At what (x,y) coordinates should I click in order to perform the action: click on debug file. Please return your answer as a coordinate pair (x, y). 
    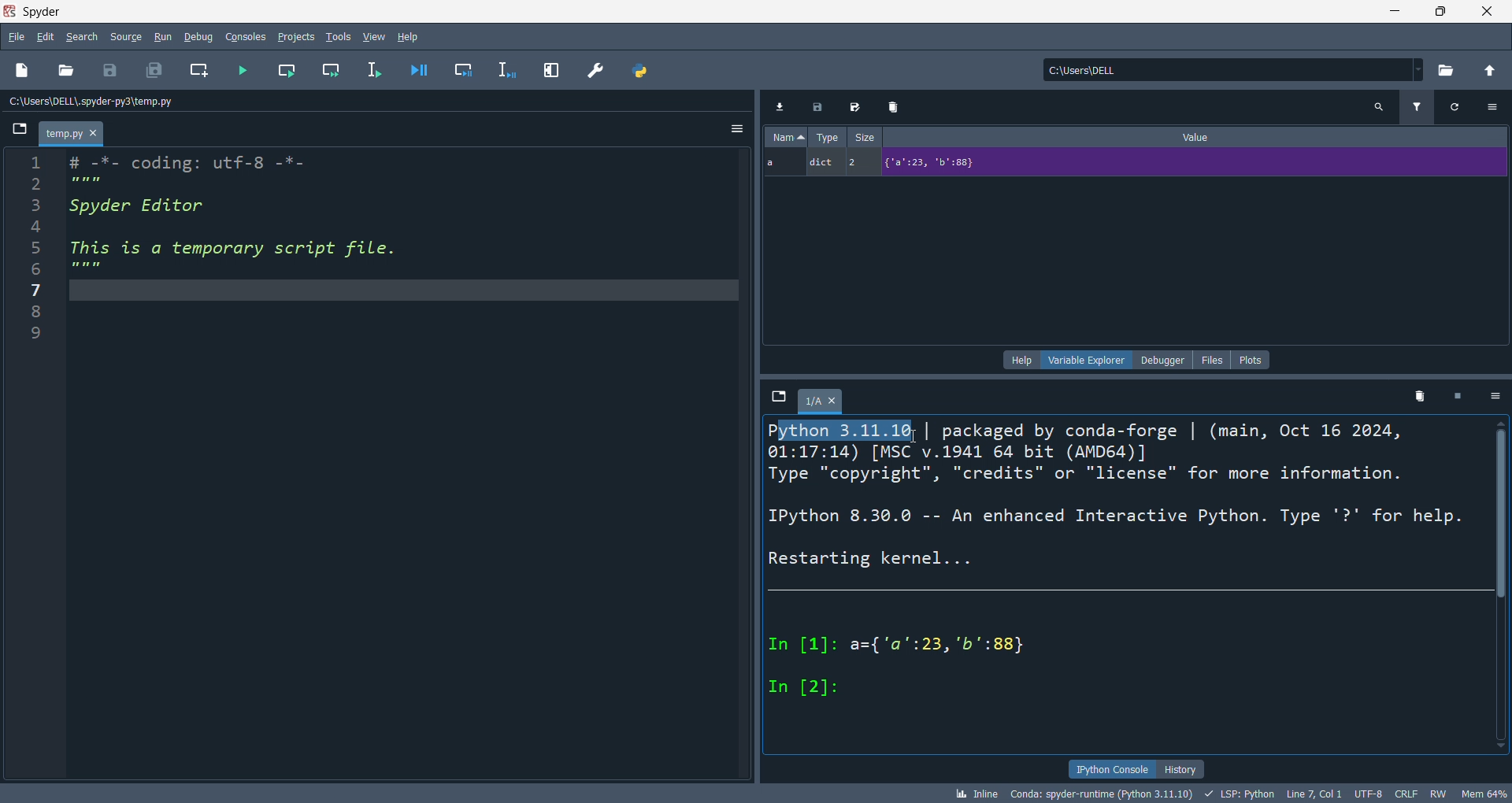
    Looking at the image, I should click on (424, 68).